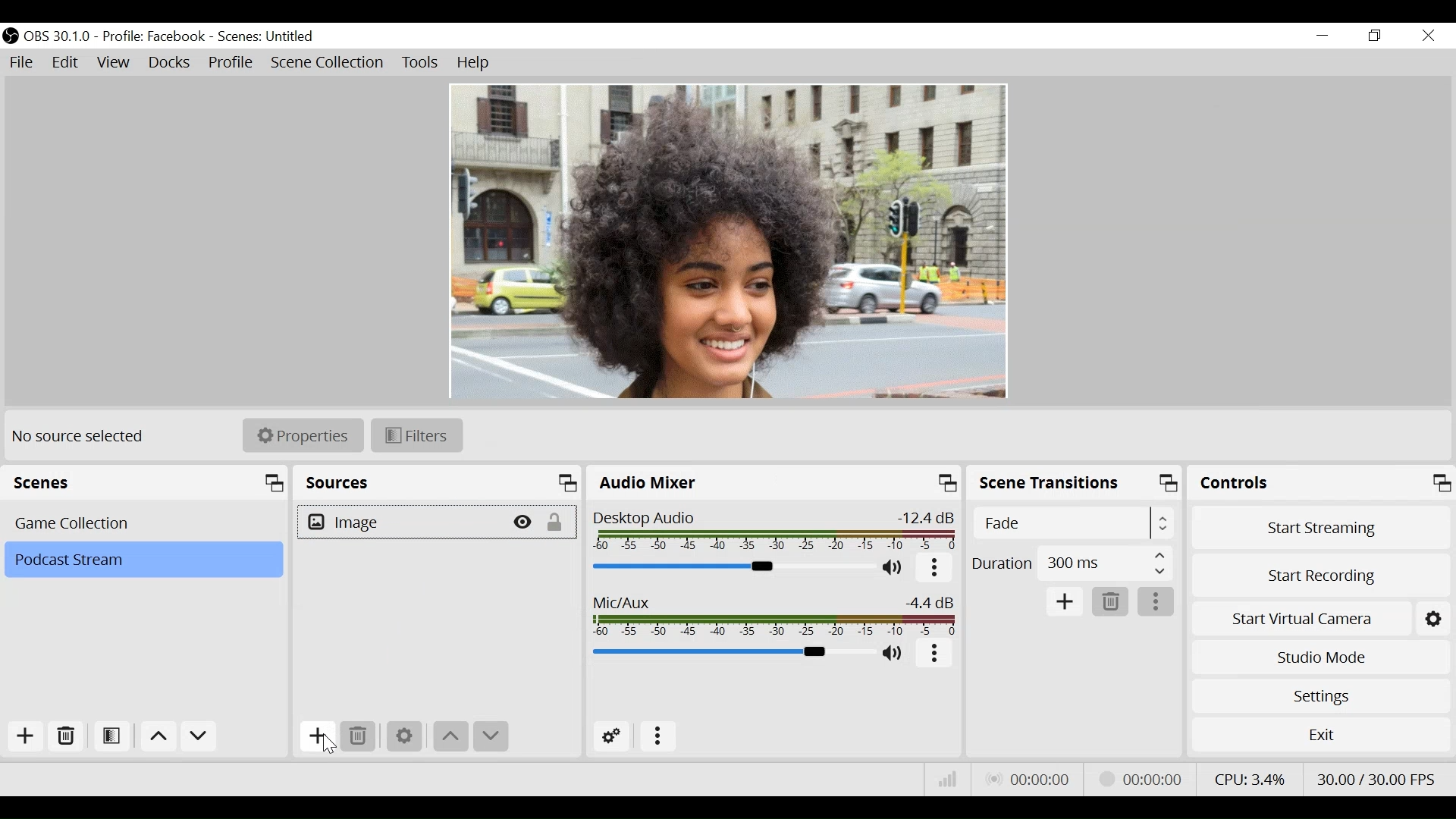 This screenshot has width=1456, height=819. Describe the element at coordinates (401, 522) in the screenshot. I see `Image` at that location.